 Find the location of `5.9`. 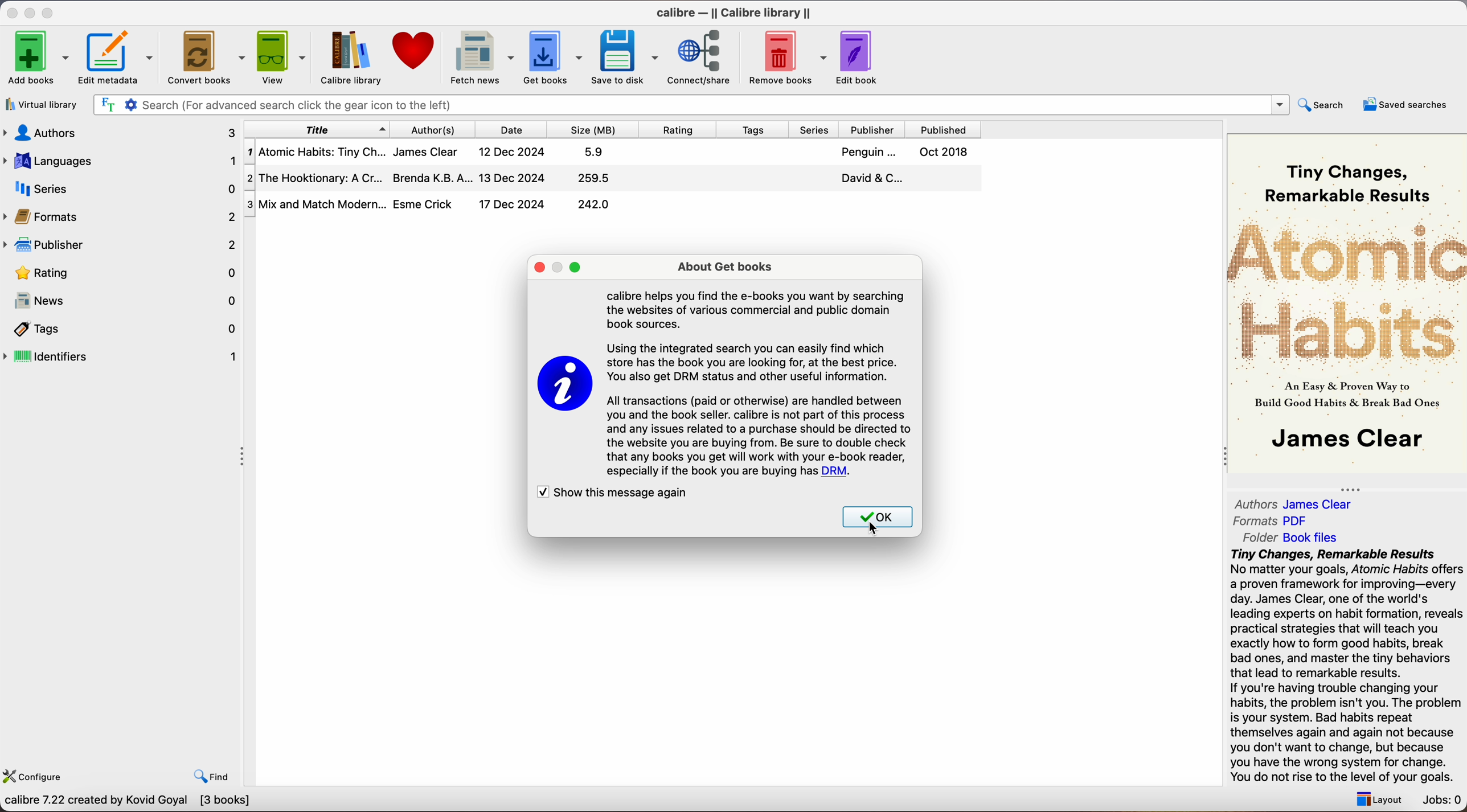

5.9 is located at coordinates (594, 154).